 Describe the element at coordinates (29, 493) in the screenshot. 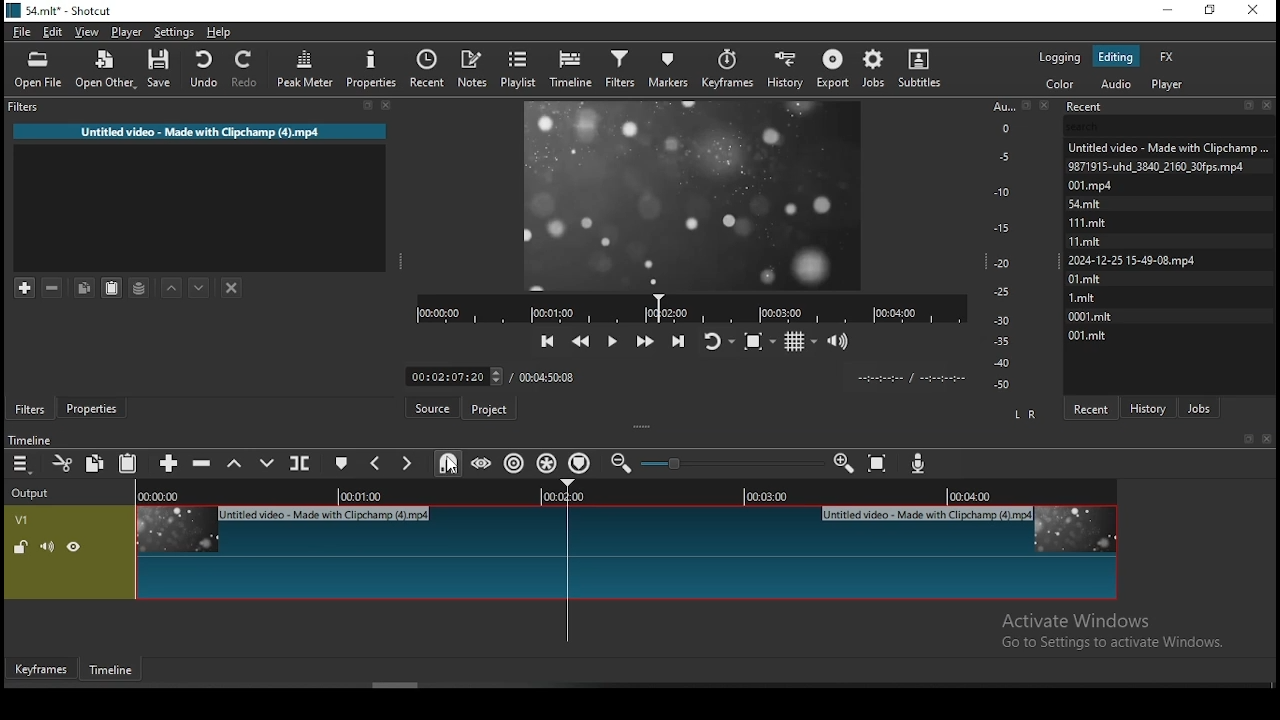

I see `Output` at that location.